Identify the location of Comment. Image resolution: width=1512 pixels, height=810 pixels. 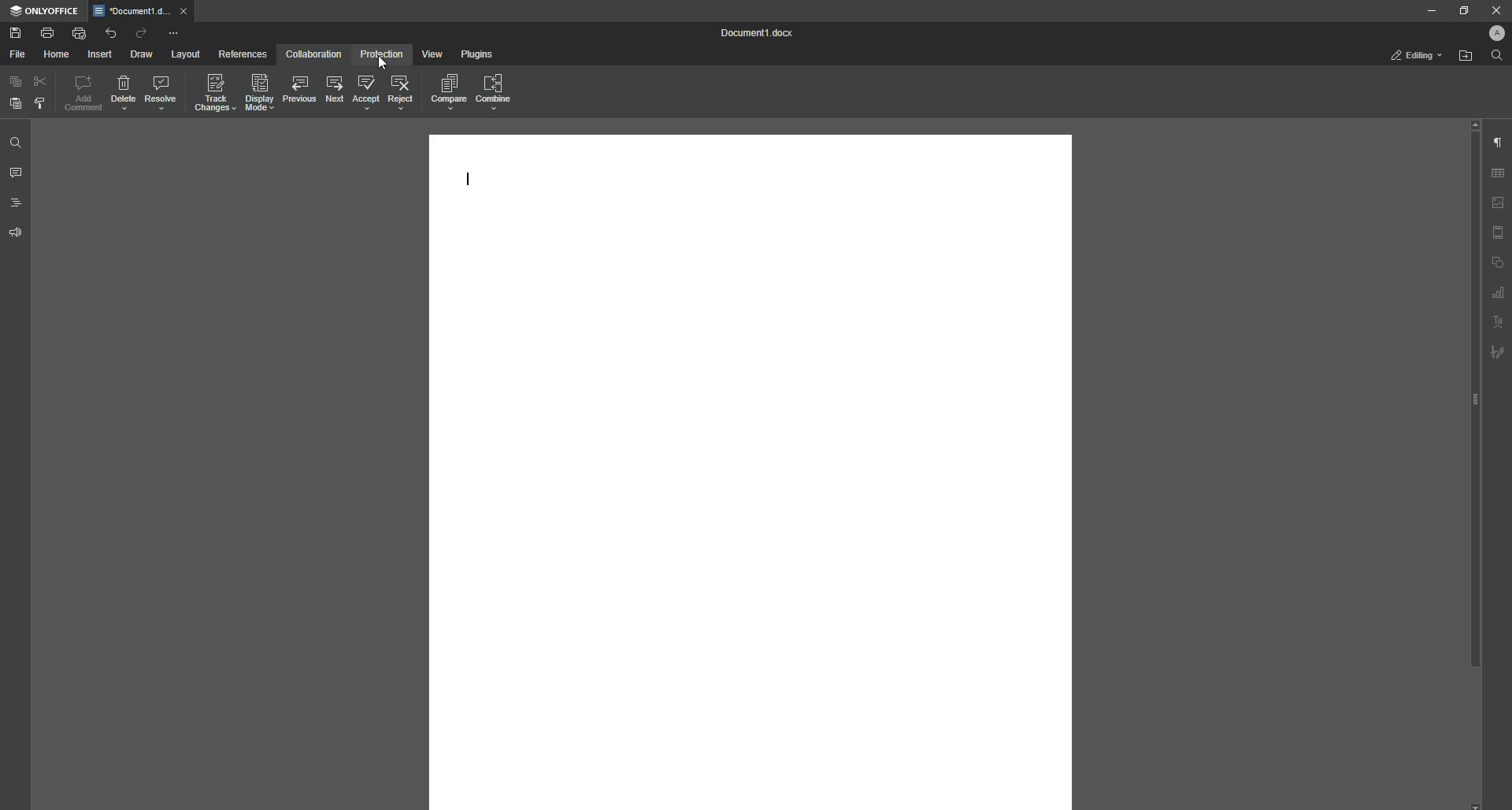
(17, 174).